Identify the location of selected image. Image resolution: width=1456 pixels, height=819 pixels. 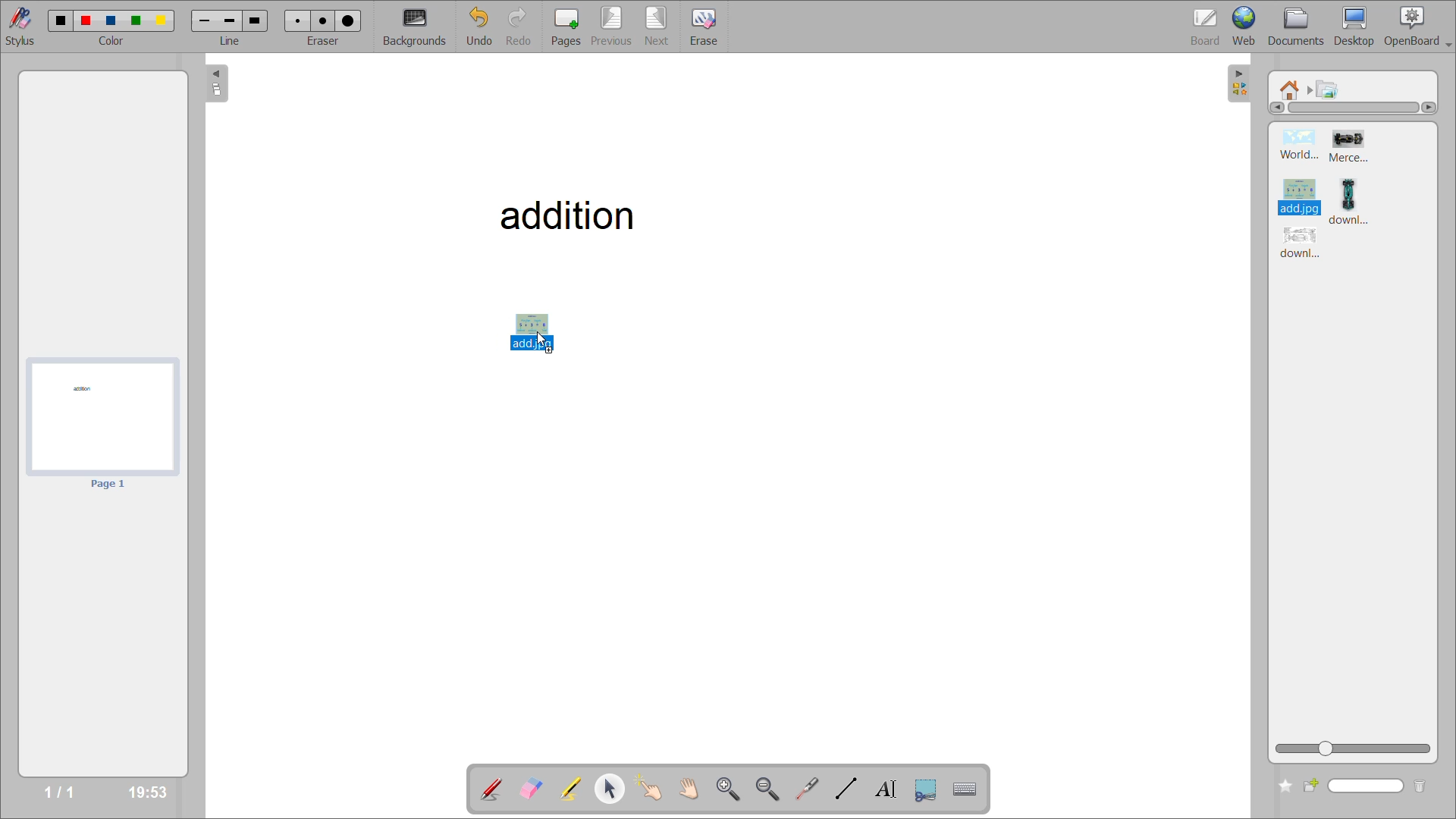
(530, 336).